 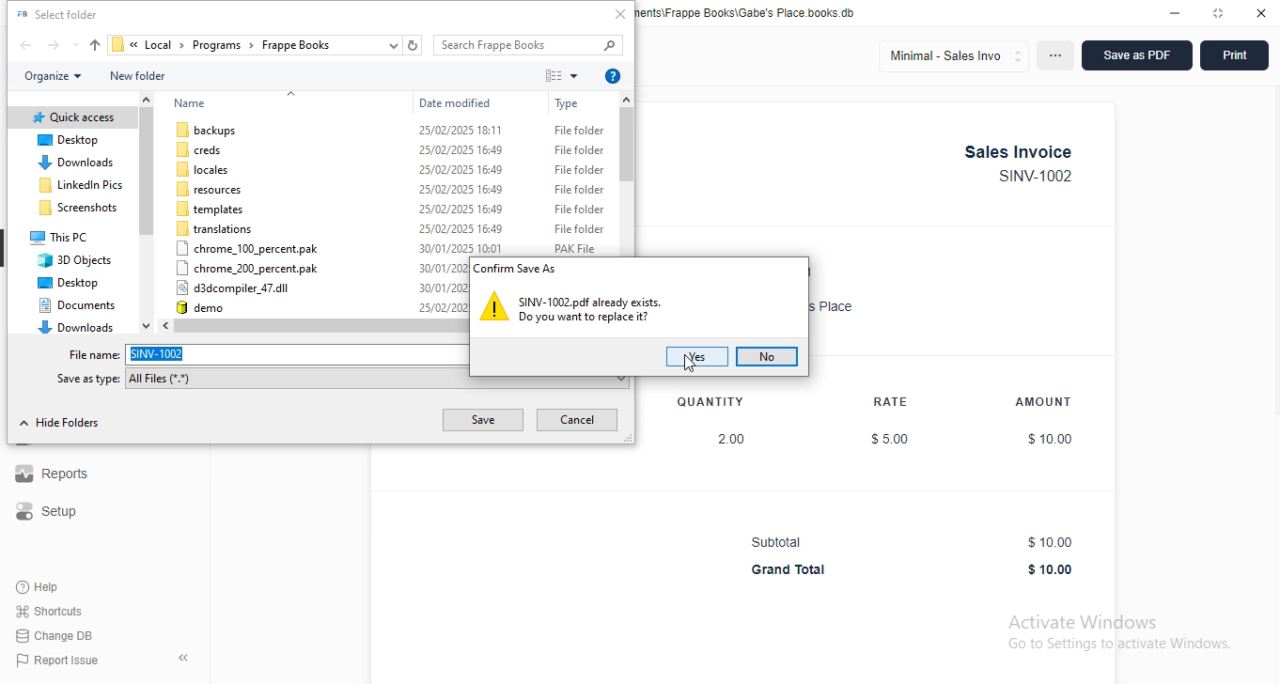 What do you see at coordinates (208, 129) in the screenshot?
I see `backups` at bounding box center [208, 129].